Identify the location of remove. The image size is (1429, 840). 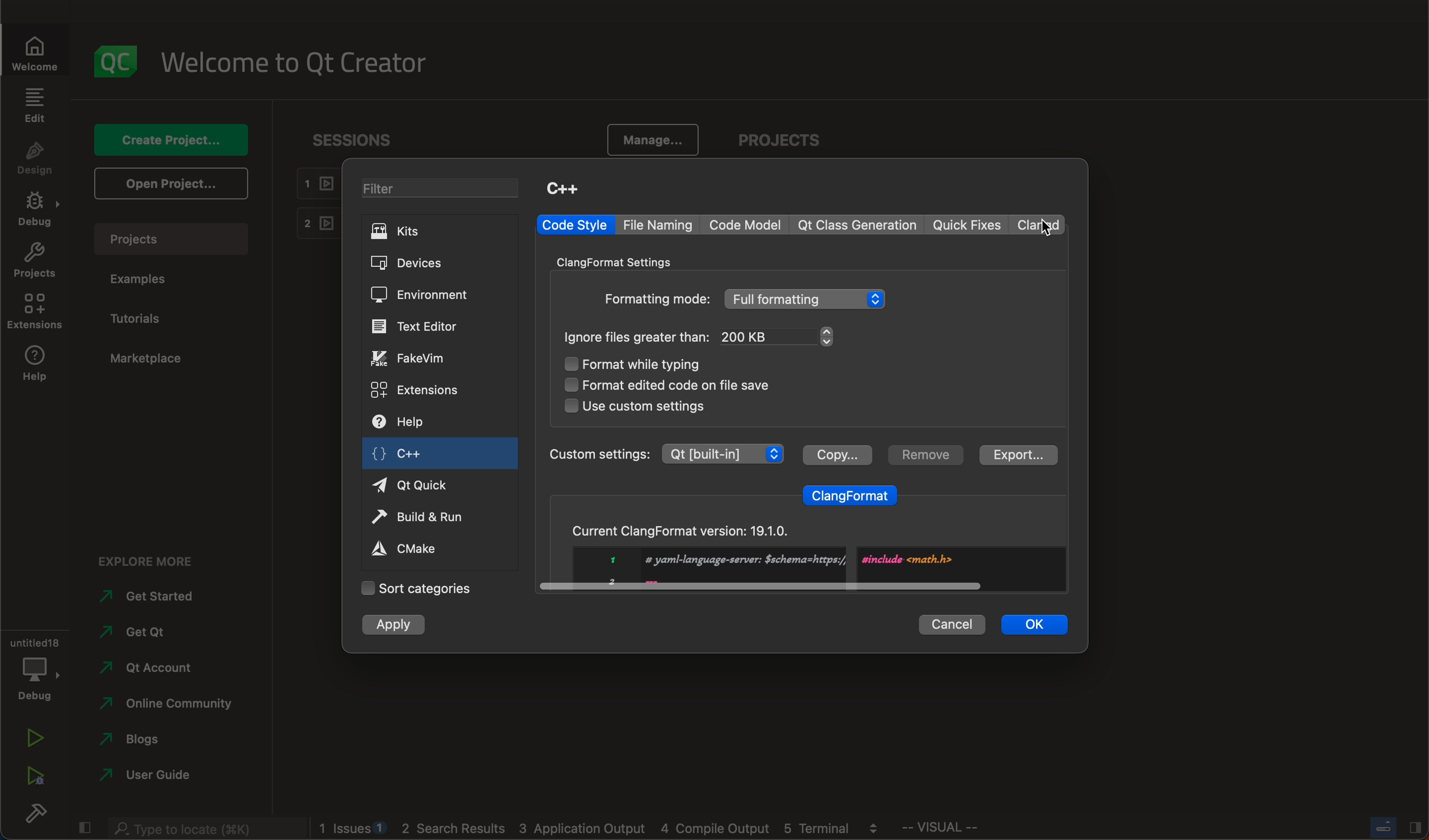
(927, 455).